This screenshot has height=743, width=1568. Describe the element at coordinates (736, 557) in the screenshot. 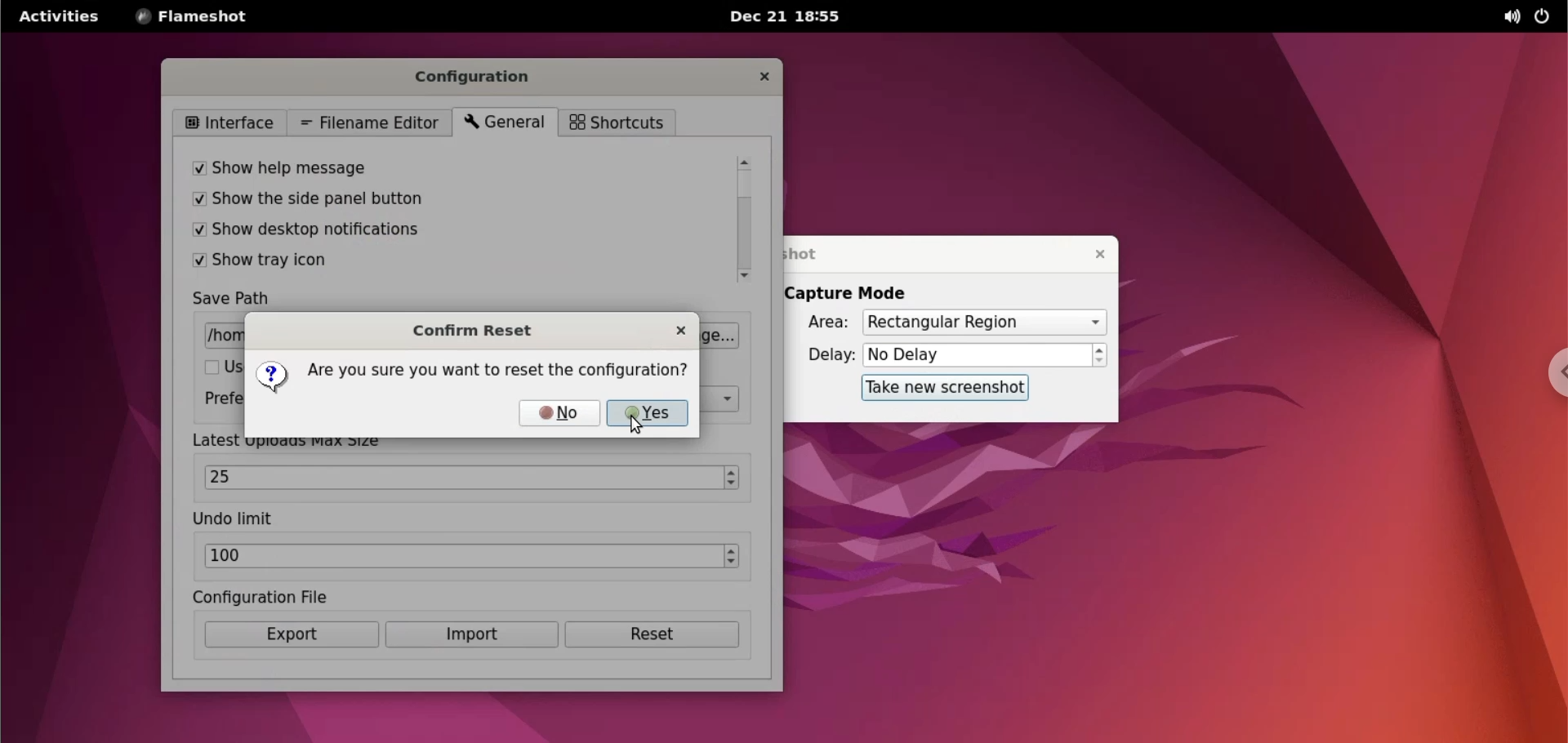

I see `increment or decrement undo limit` at that location.